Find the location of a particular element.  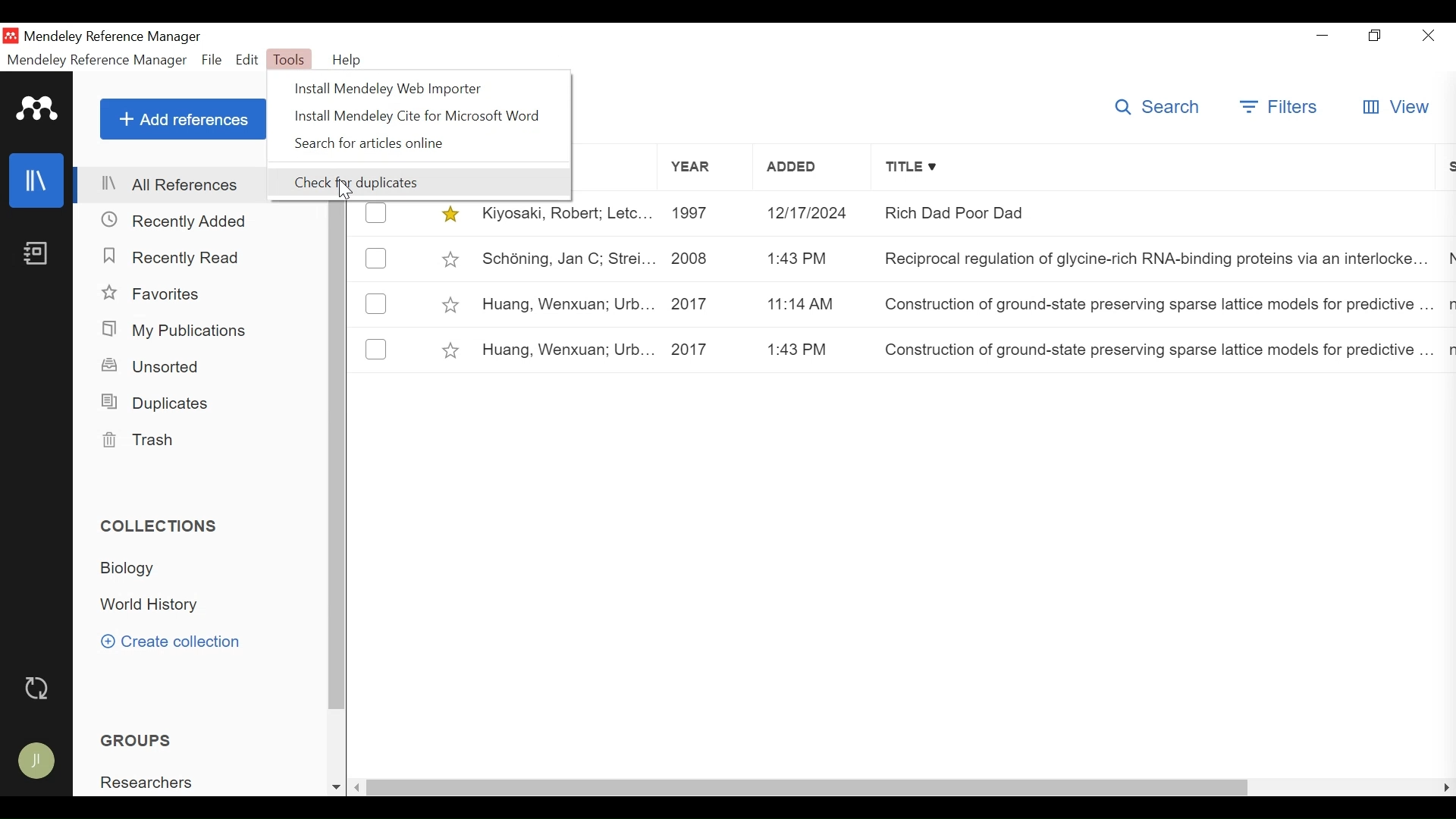

Recently Added is located at coordinates (179, 220).